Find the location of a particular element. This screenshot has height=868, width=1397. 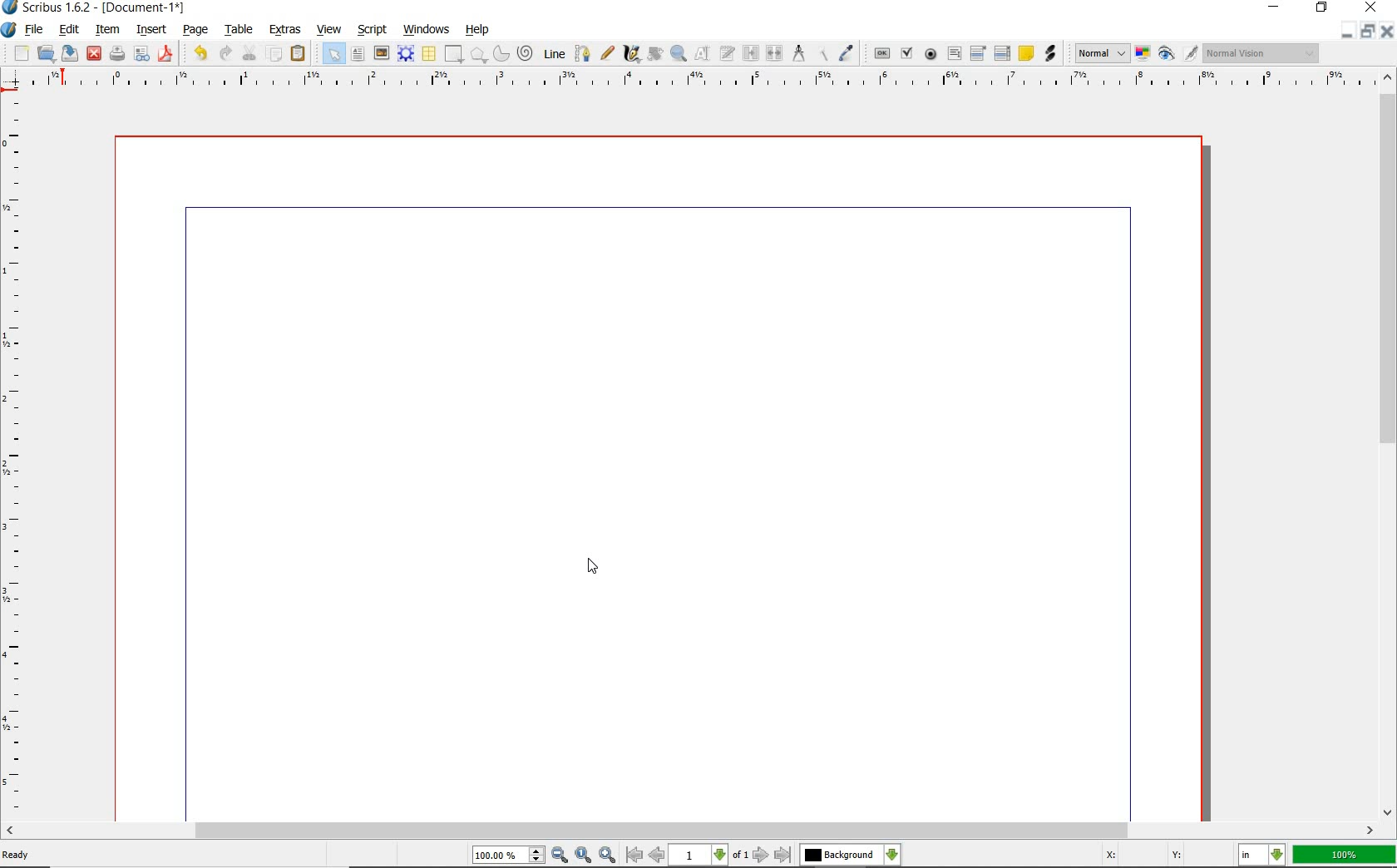

new is located at coordinates (21, 54).